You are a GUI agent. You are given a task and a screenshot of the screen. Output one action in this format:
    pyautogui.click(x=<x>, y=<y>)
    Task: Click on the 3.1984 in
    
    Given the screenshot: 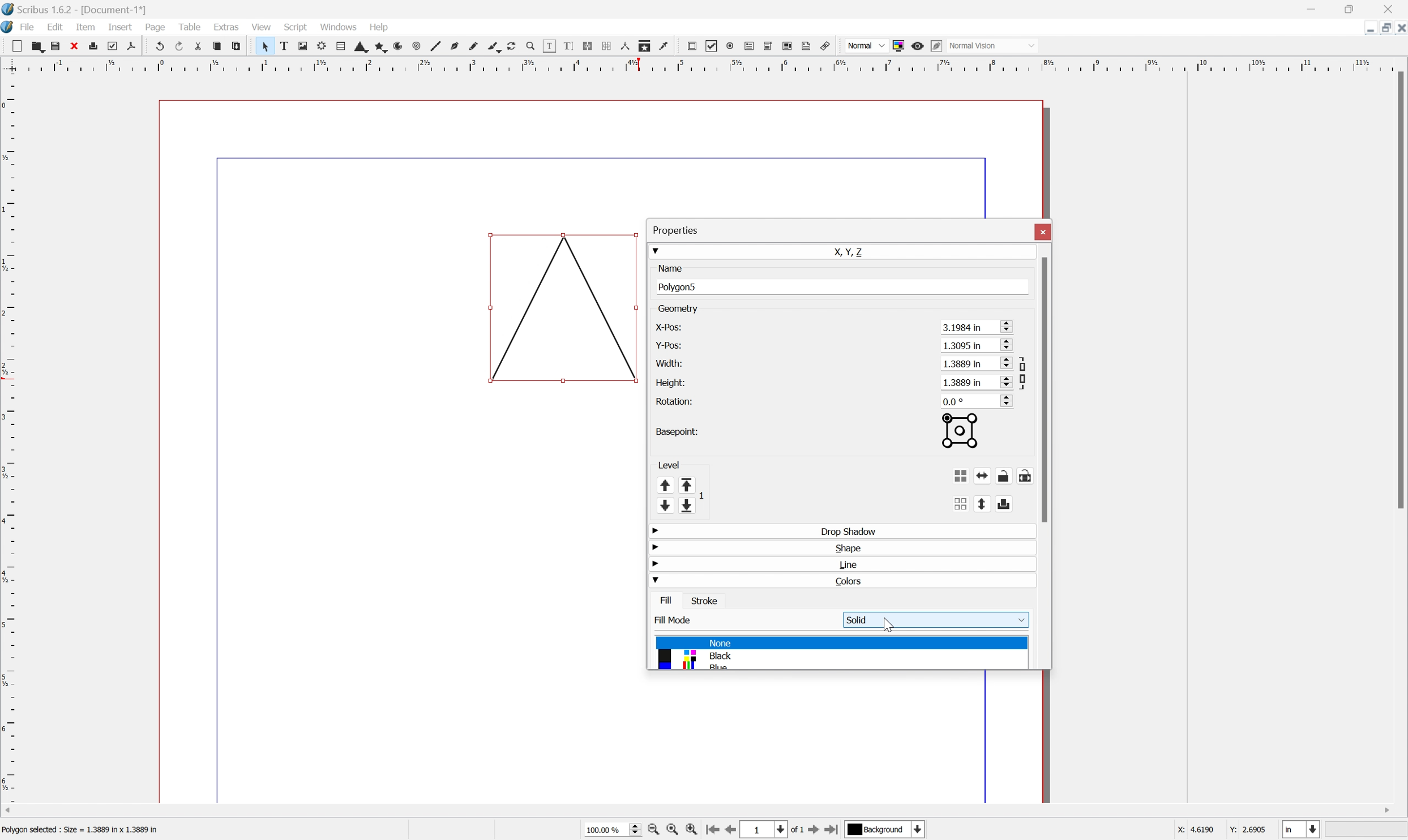 What is the action you would take?
    pyautogui.click(x=977, y=327)
    